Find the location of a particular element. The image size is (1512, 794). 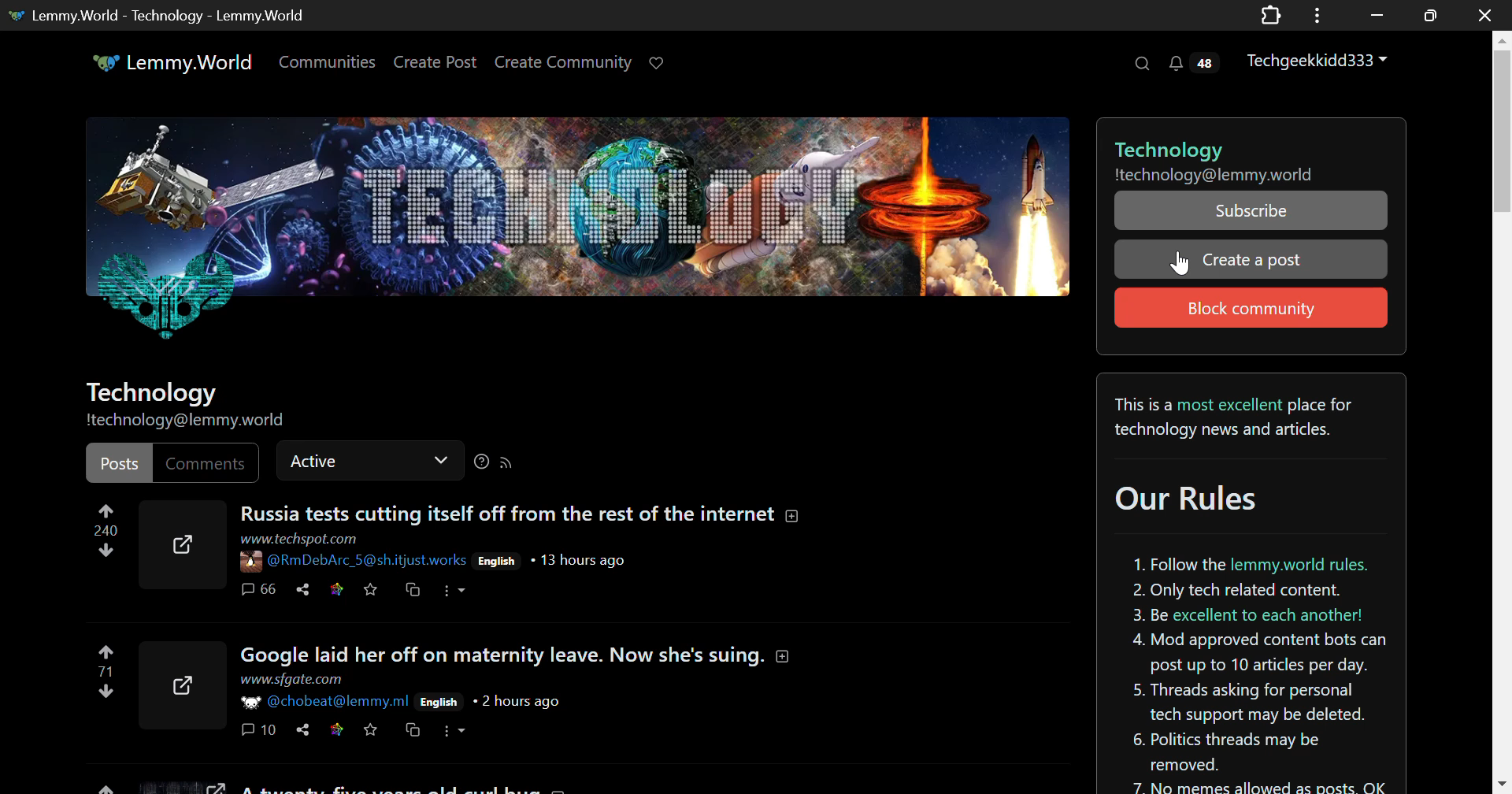

Close Window is located at coordinates (1480, 16).